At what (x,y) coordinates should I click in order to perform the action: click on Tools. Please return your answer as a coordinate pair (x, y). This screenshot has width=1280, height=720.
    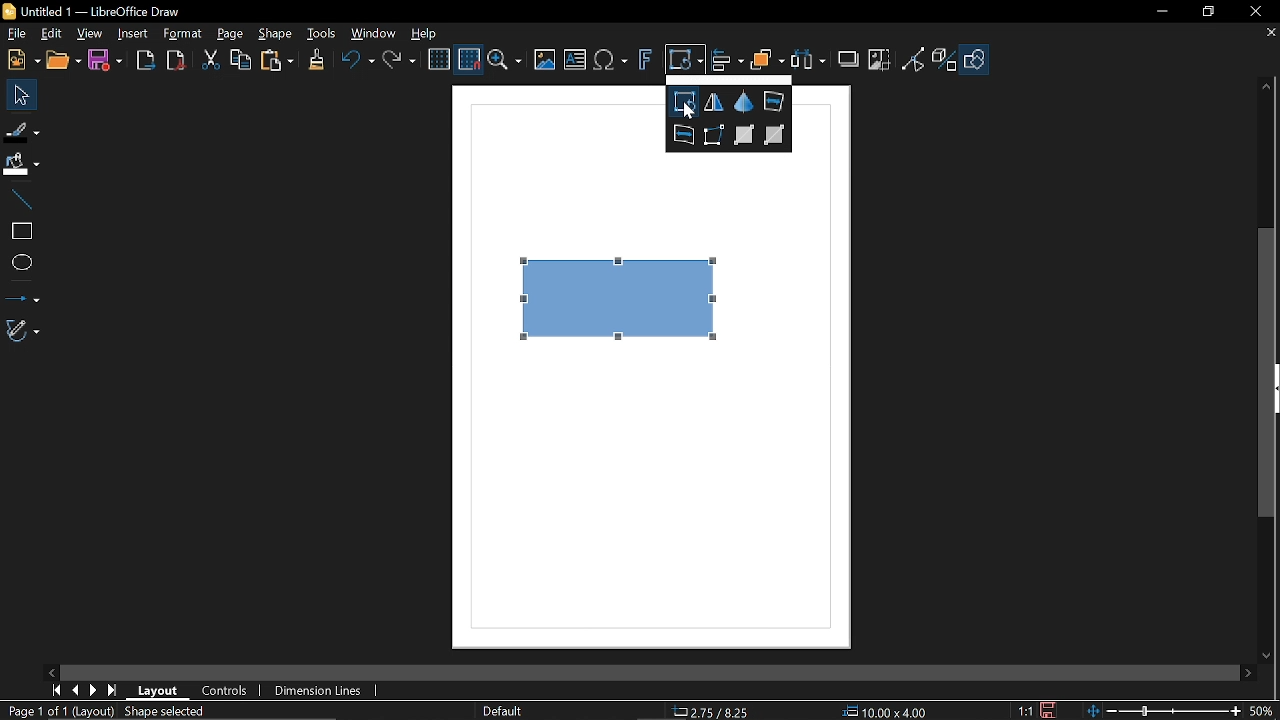
    Looking at the image, I should click on (322, 34).